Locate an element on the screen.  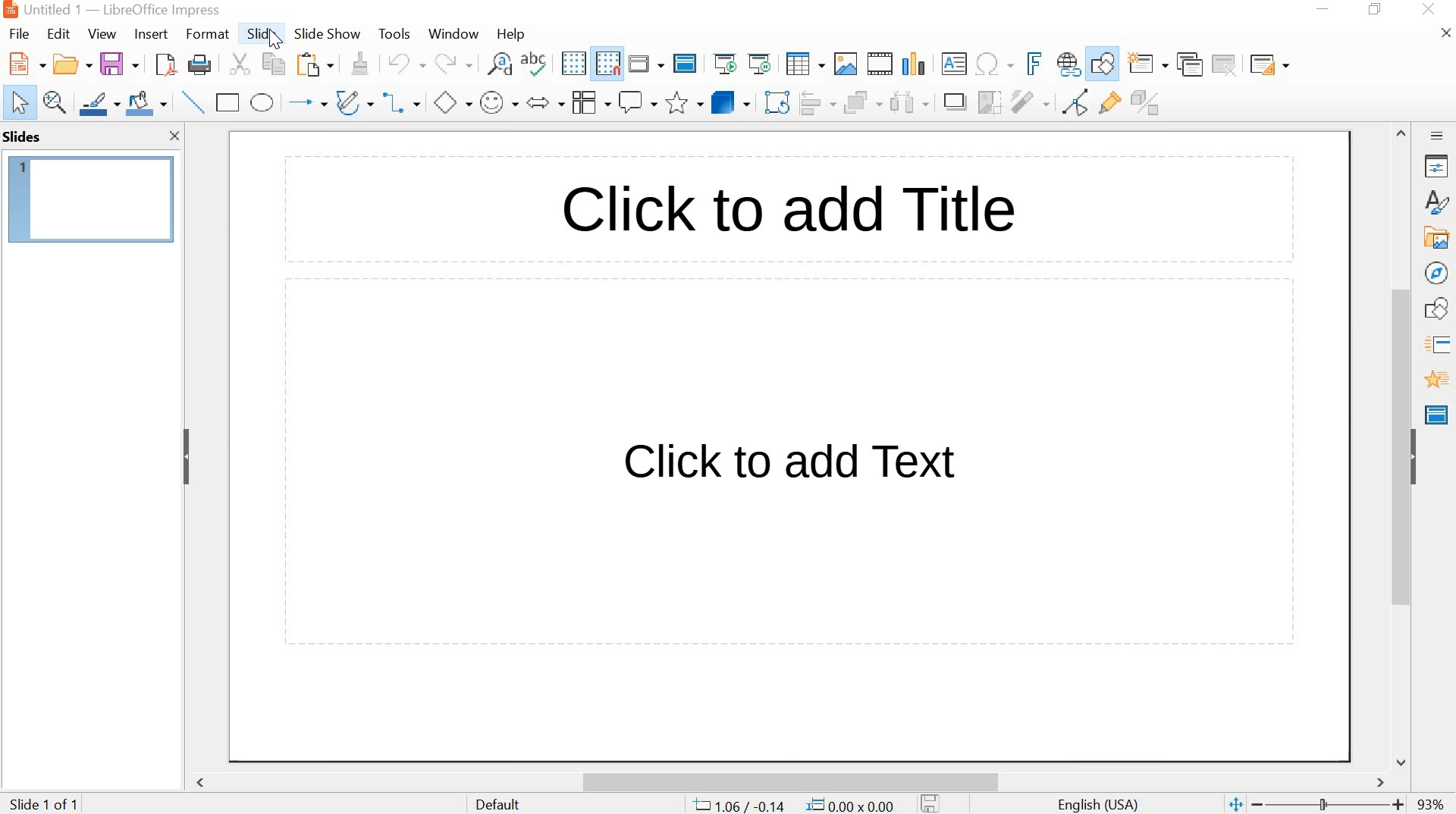
CLOSE is located at coordinates (173, 136).